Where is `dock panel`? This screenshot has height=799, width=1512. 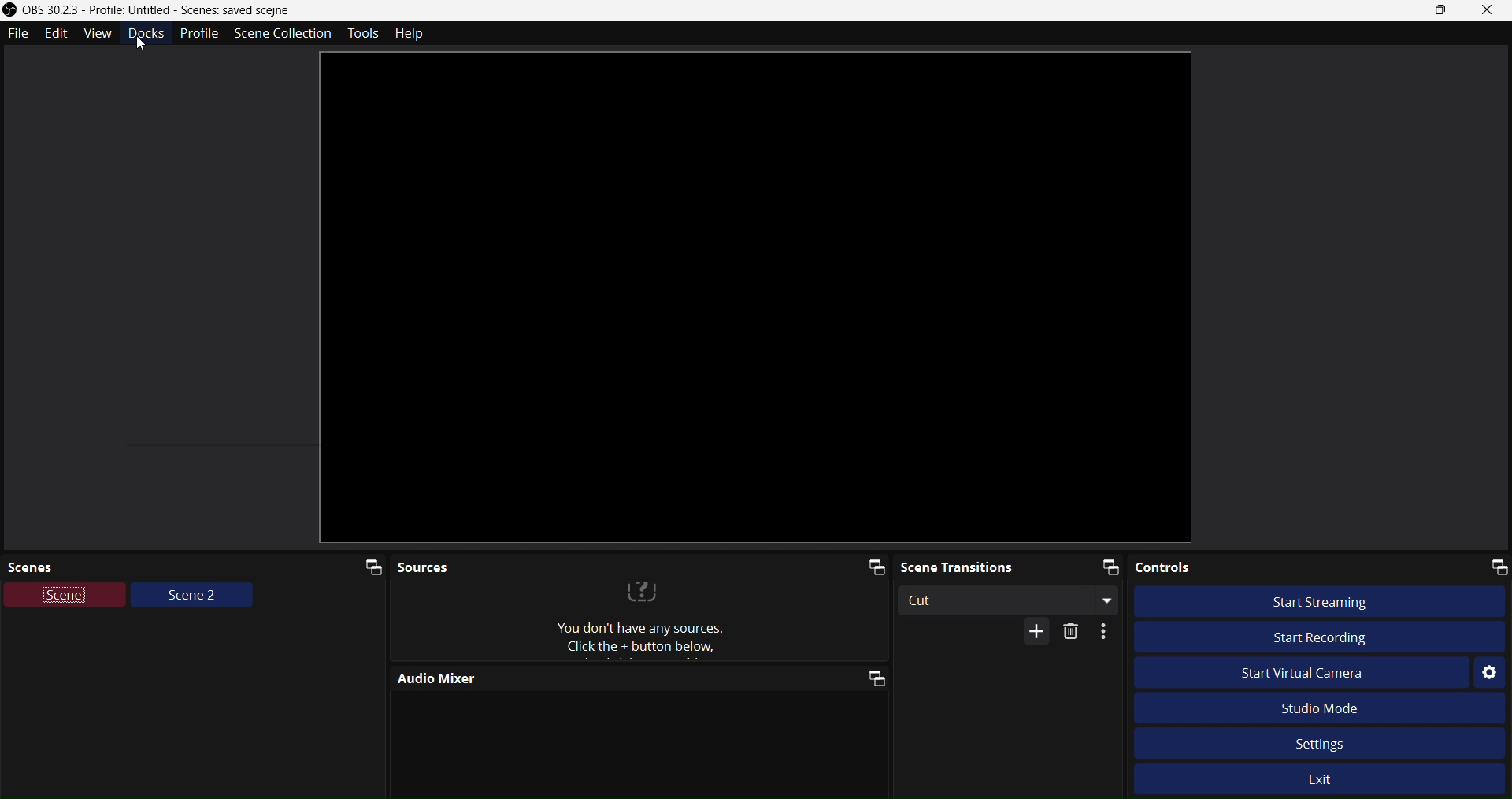
dock panel is located at coordinates (1494, 566).